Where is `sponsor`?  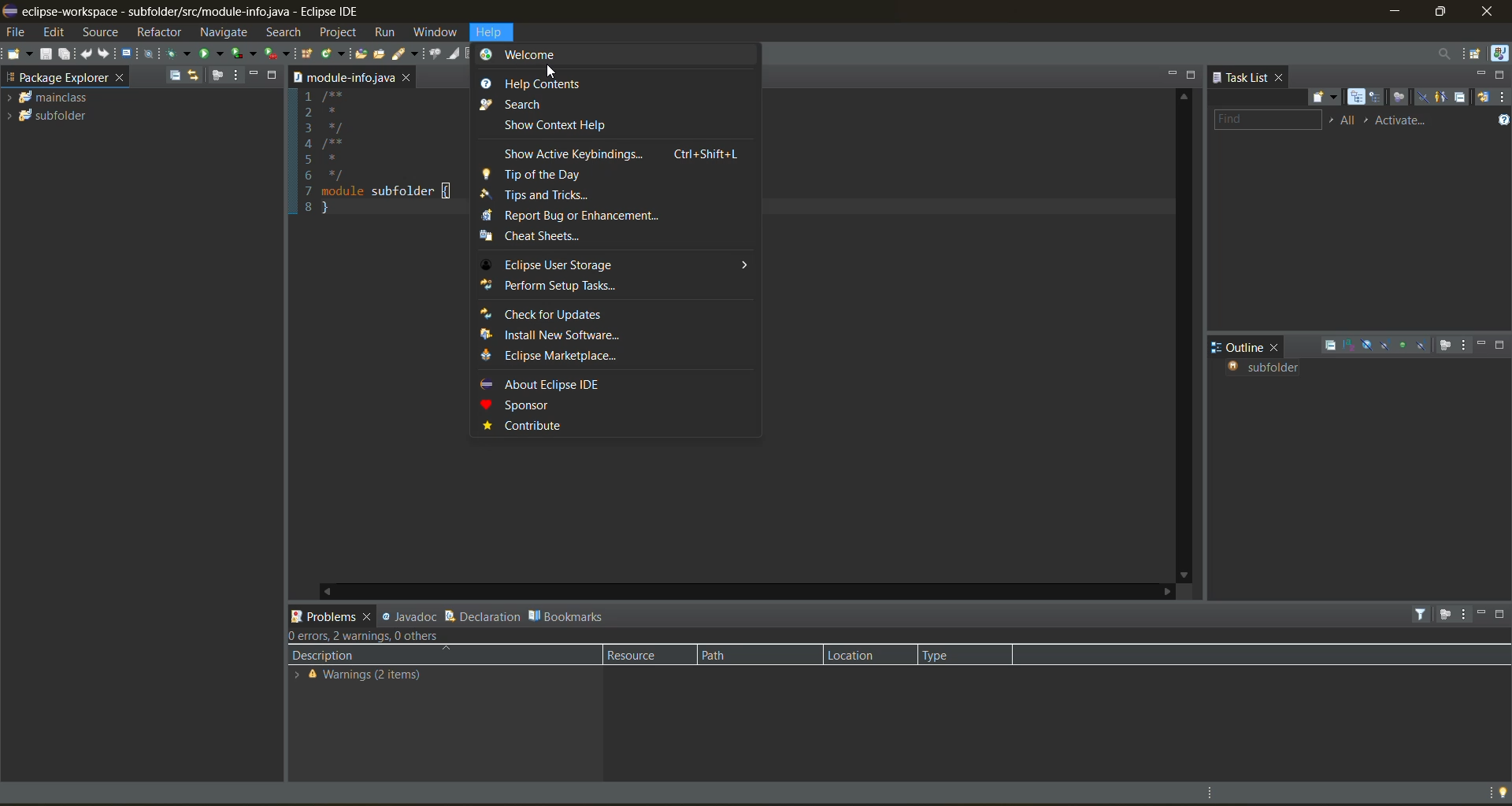 sponsor is located at coordinates (536, 406).